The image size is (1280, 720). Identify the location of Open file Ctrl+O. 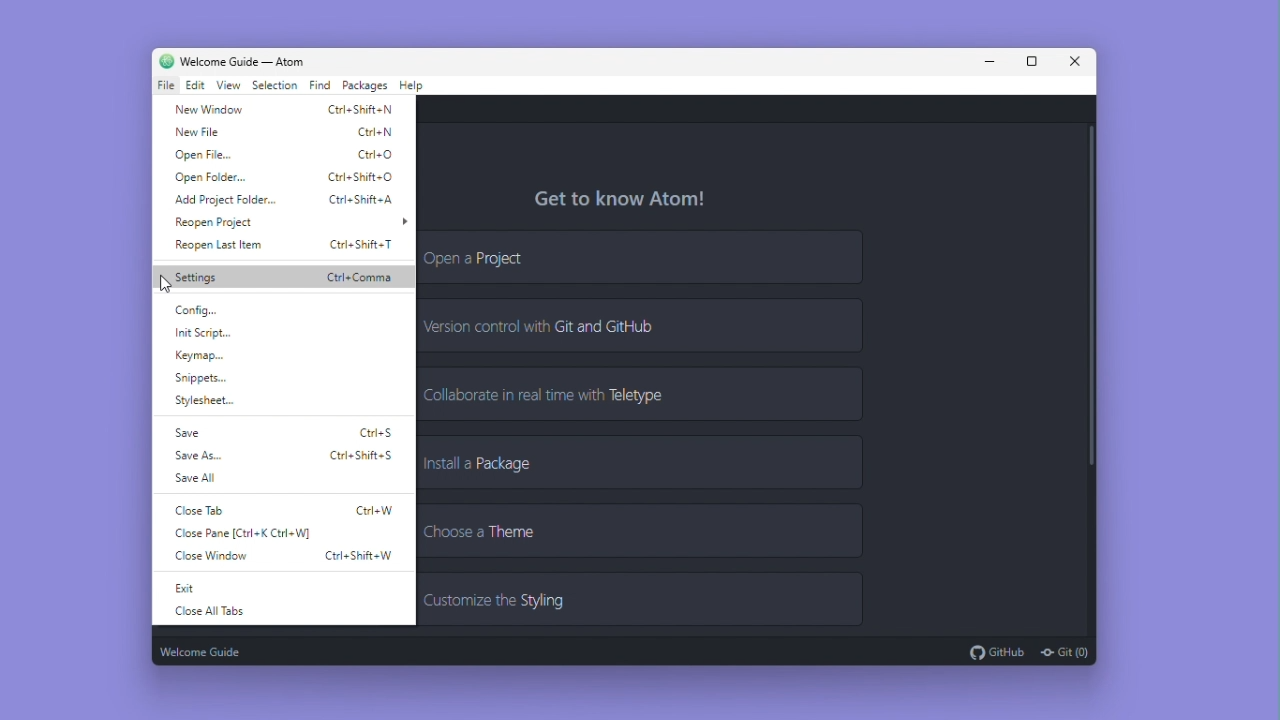
(282, 157).